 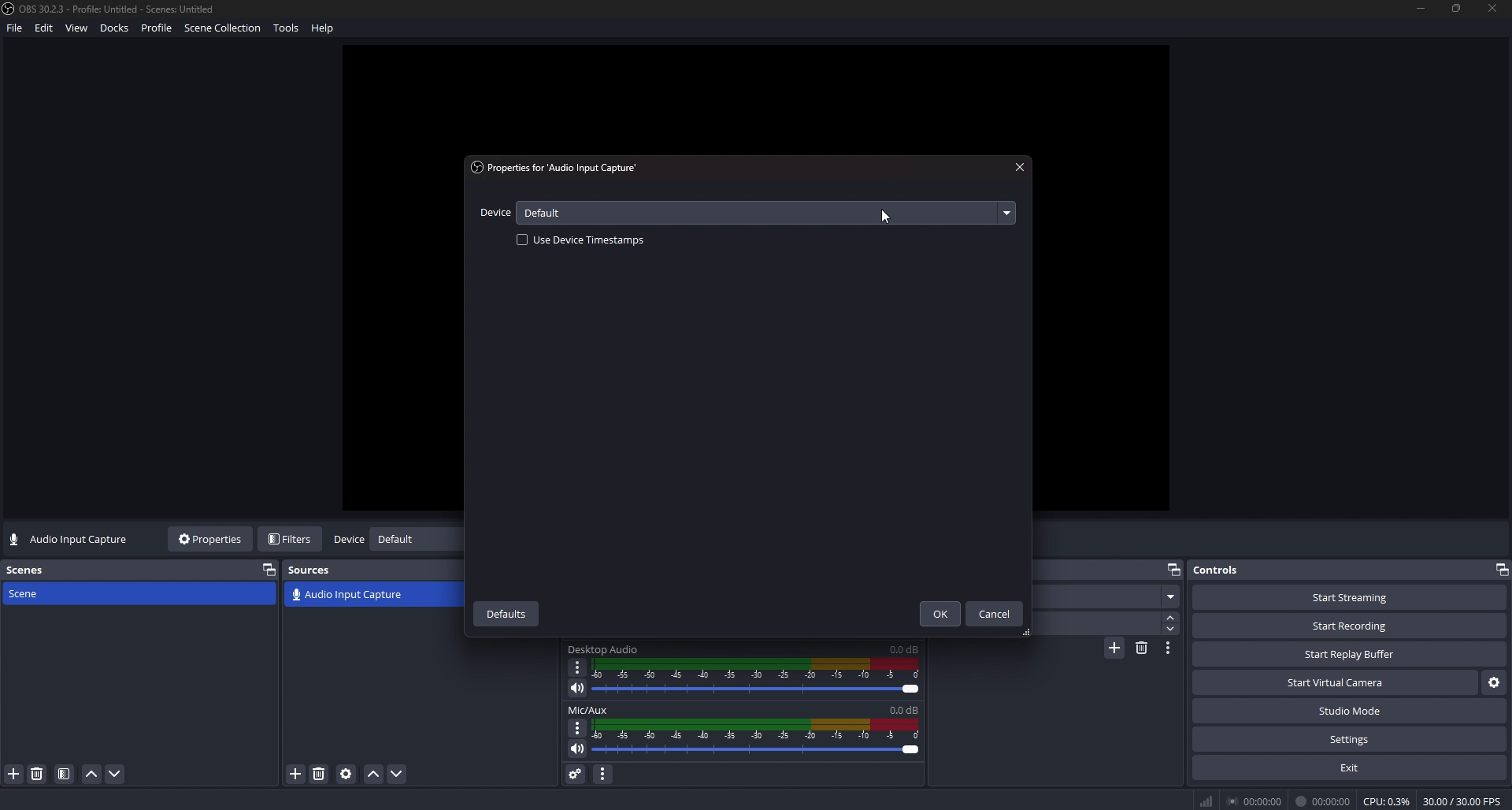 What do you see at coordinates (1142, 647) in the screenshot?
I see `remove transition` at bounding box center [1142, 647].